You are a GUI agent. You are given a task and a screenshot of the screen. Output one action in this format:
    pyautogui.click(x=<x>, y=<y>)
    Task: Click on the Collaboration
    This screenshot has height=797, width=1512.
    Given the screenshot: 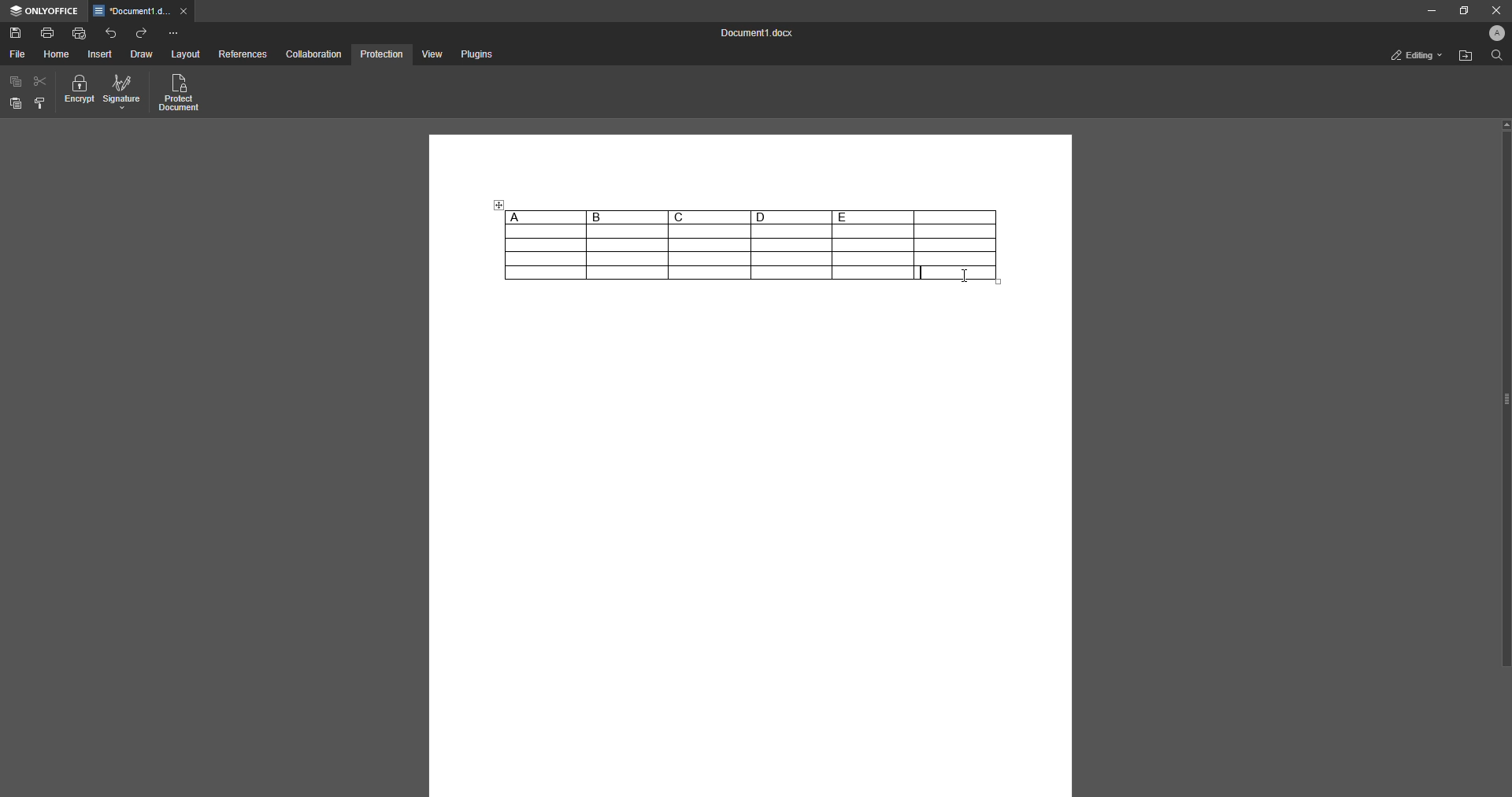 What is the action you would take?
    pyautogui.click(x=314, y=54)
    